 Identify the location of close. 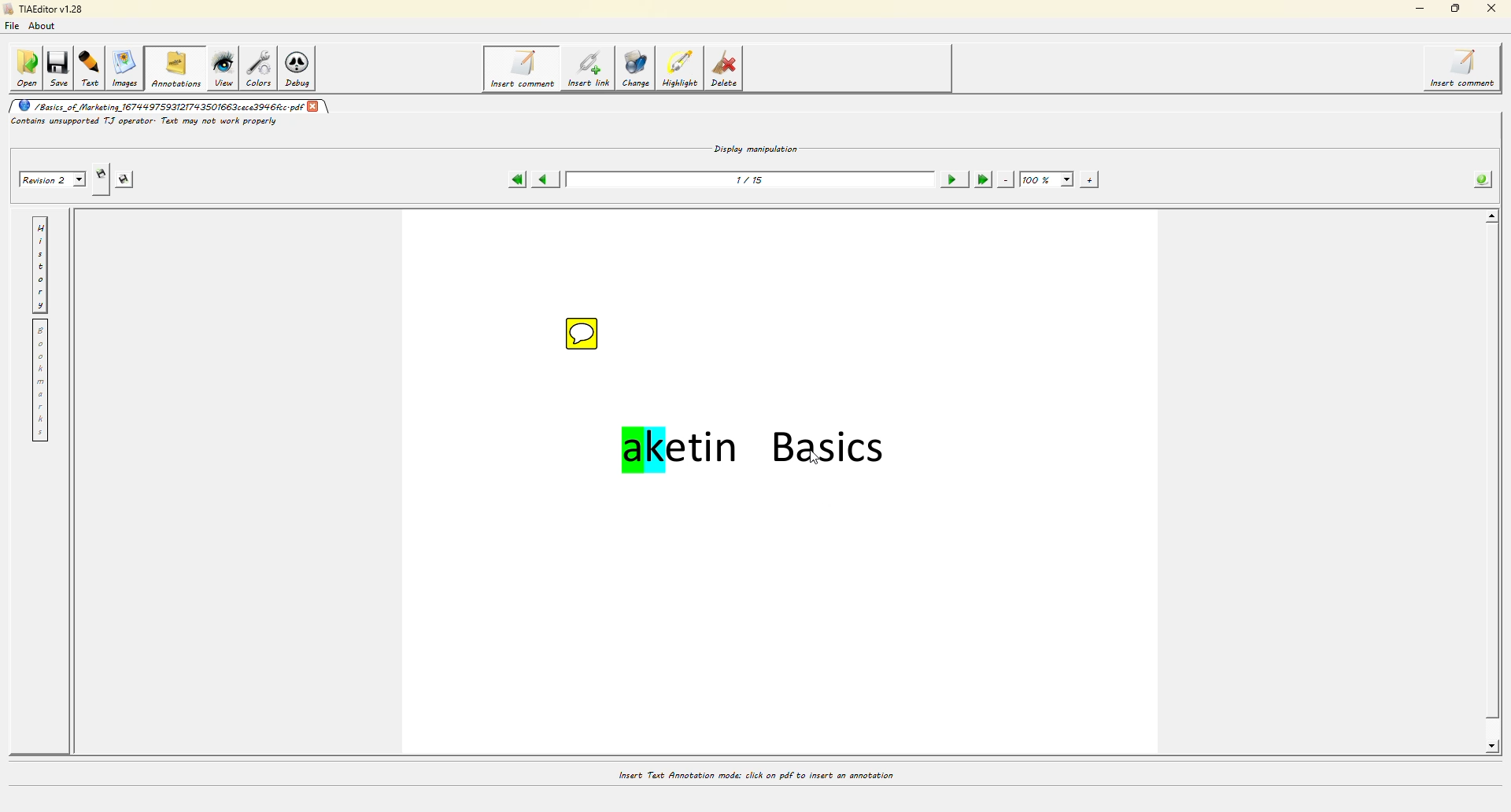
(313, 105).